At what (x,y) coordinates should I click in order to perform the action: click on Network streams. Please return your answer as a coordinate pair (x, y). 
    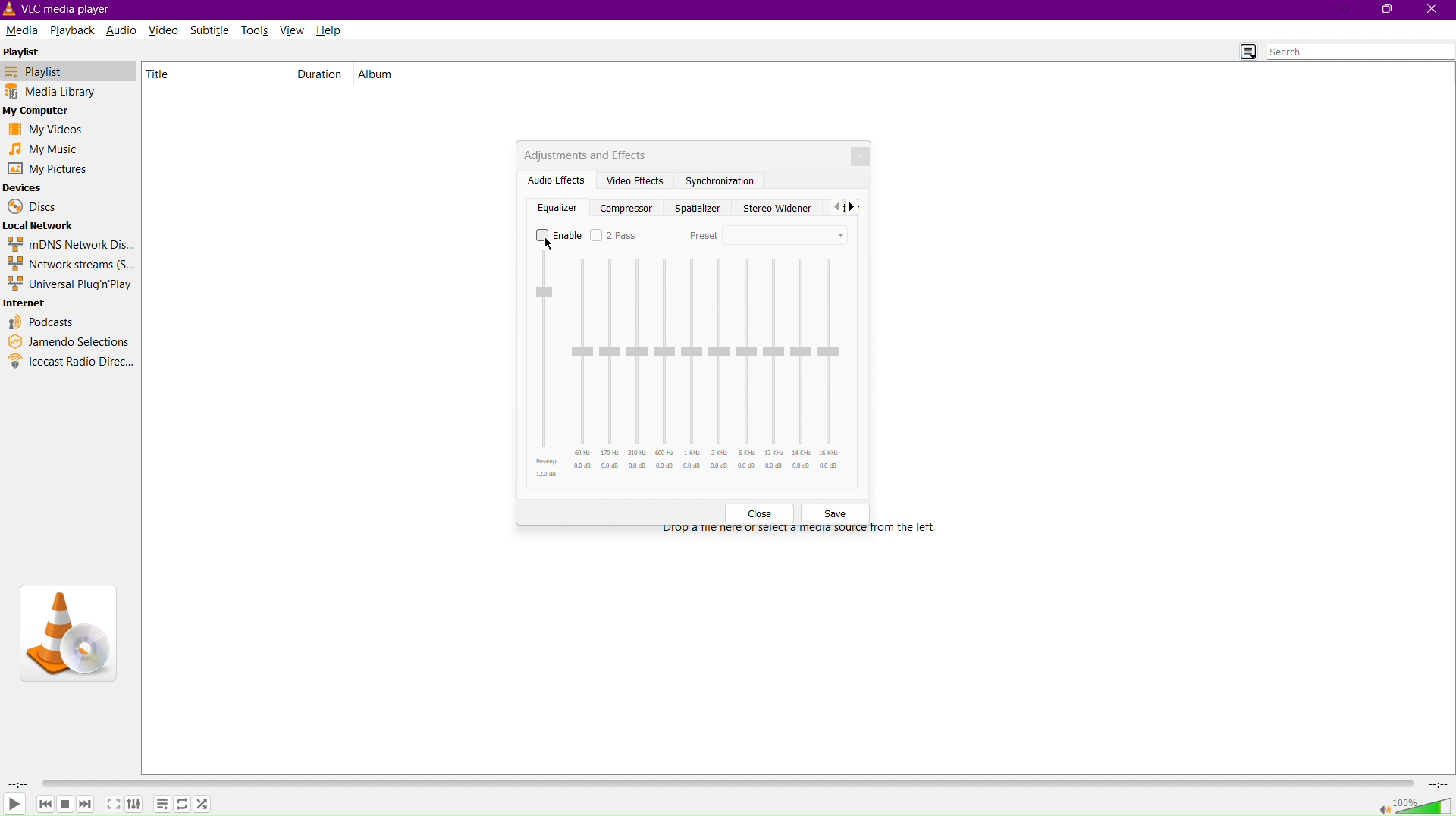
    Looking at the image, I should click on (71, 265).